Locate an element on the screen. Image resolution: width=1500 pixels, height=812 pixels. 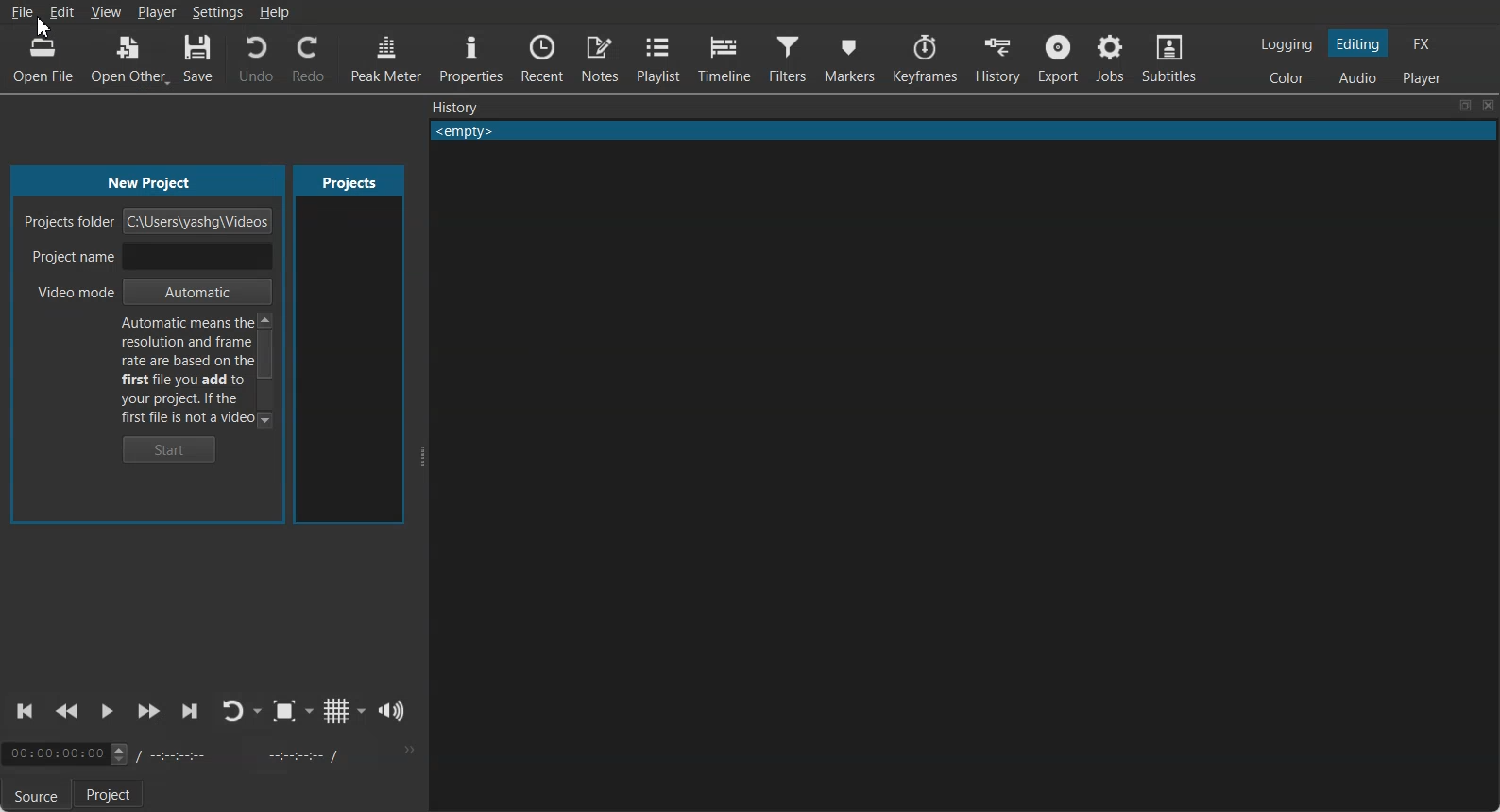
scroll down is located at coordinates (265, 418).